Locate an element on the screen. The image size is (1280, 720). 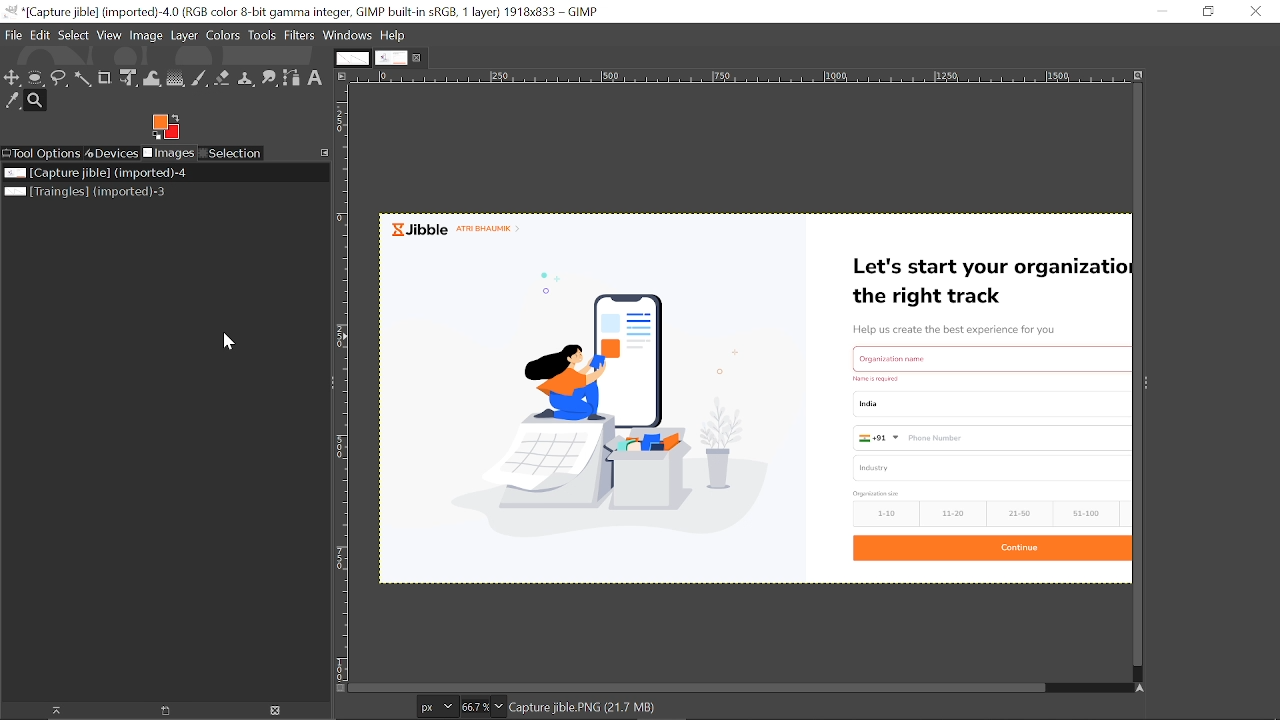
Clone tool is located at coordinates (245, 79).